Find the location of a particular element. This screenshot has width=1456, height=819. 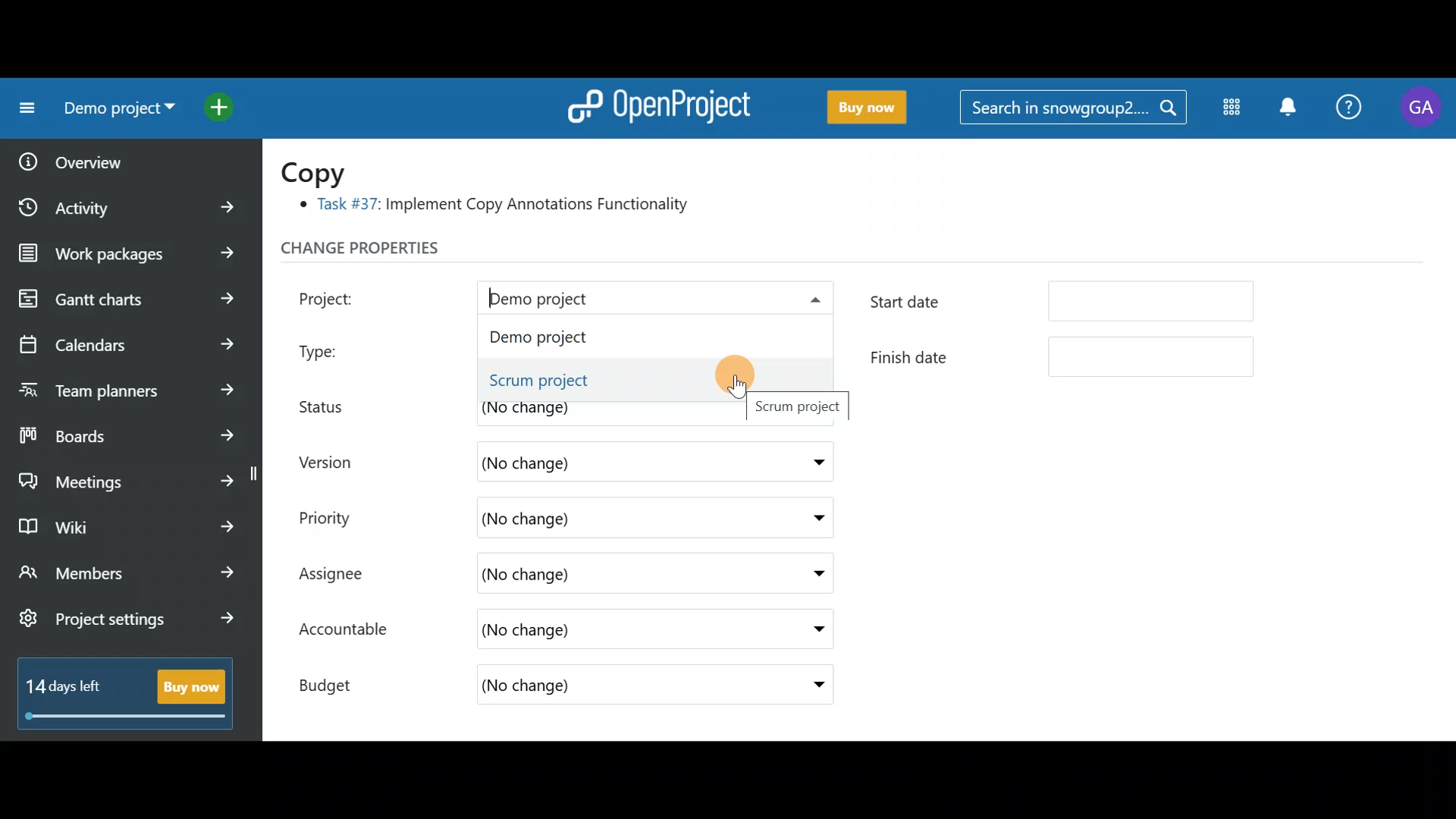

Activity is located at coordinates (131, 202).